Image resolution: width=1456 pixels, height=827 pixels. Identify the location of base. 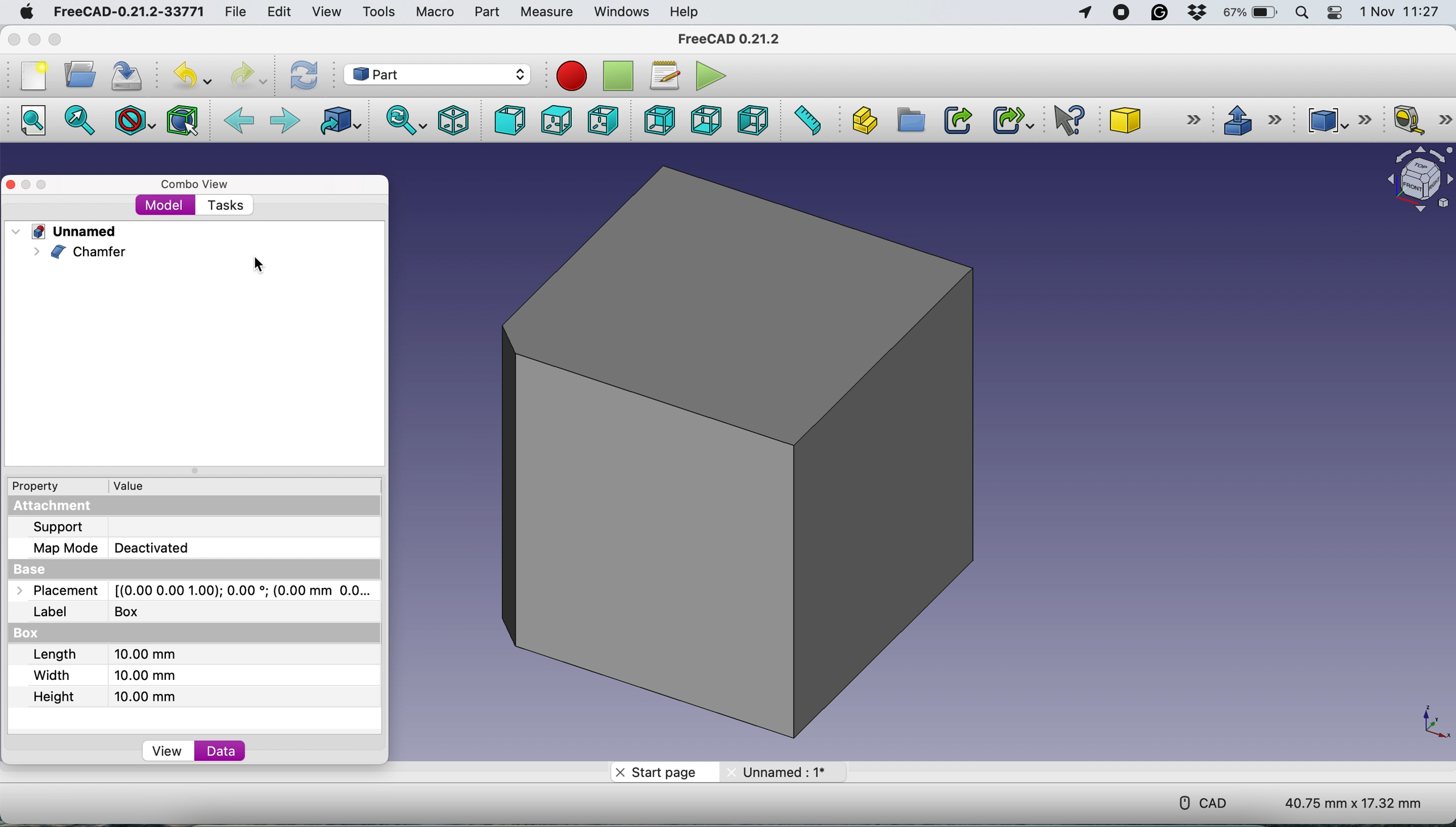
(47, 567).